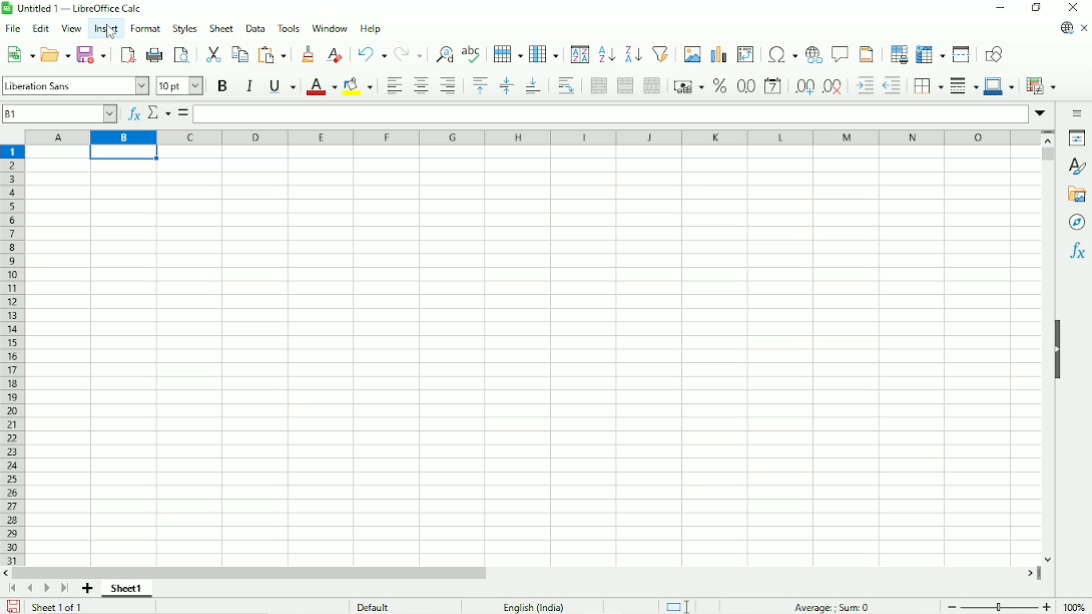  Describe the element at coordinates (158, 113) in the screenshot. I see `Select function` at that location.